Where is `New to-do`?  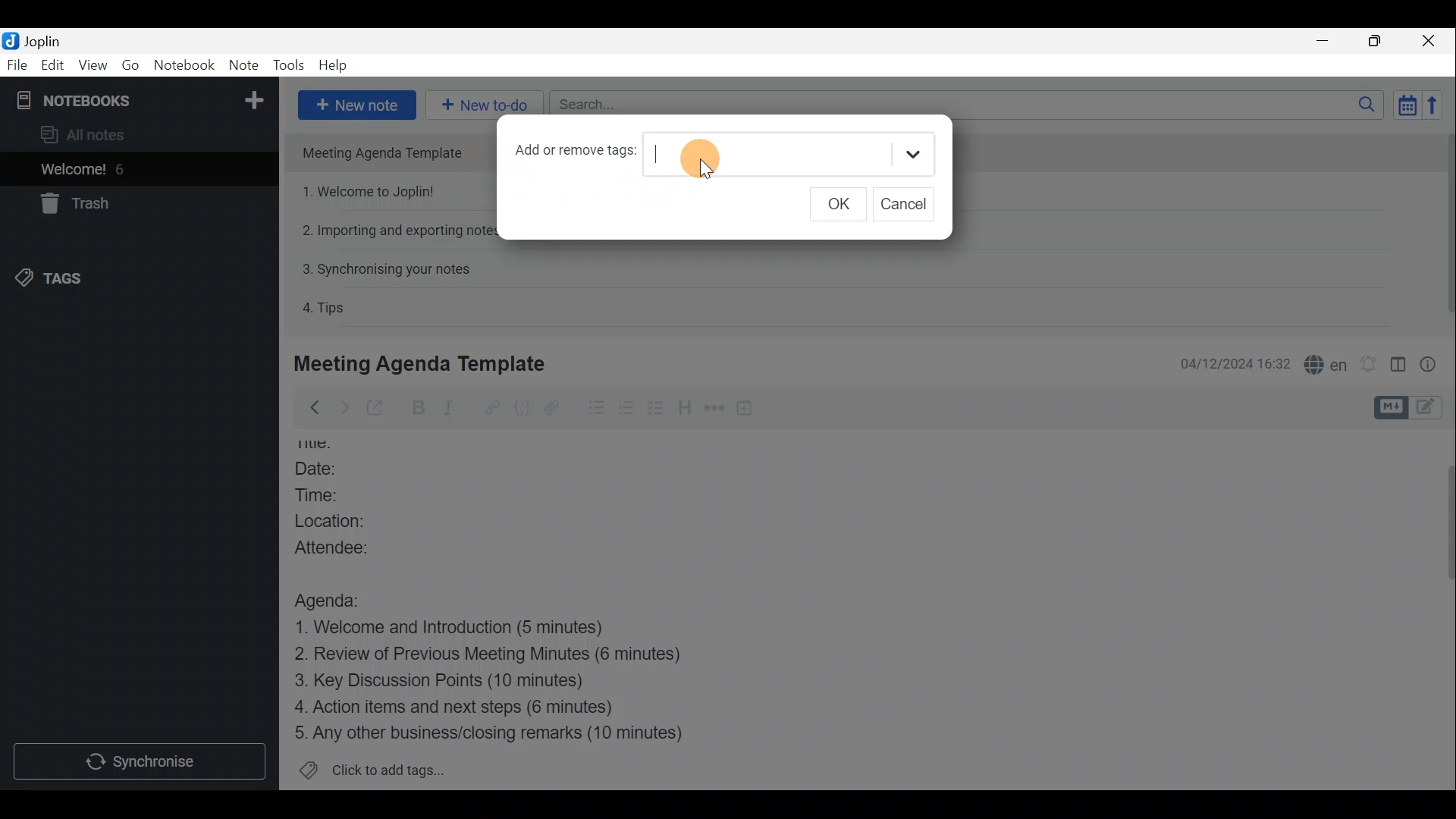
New to-do is located at coordinates (480, 99).